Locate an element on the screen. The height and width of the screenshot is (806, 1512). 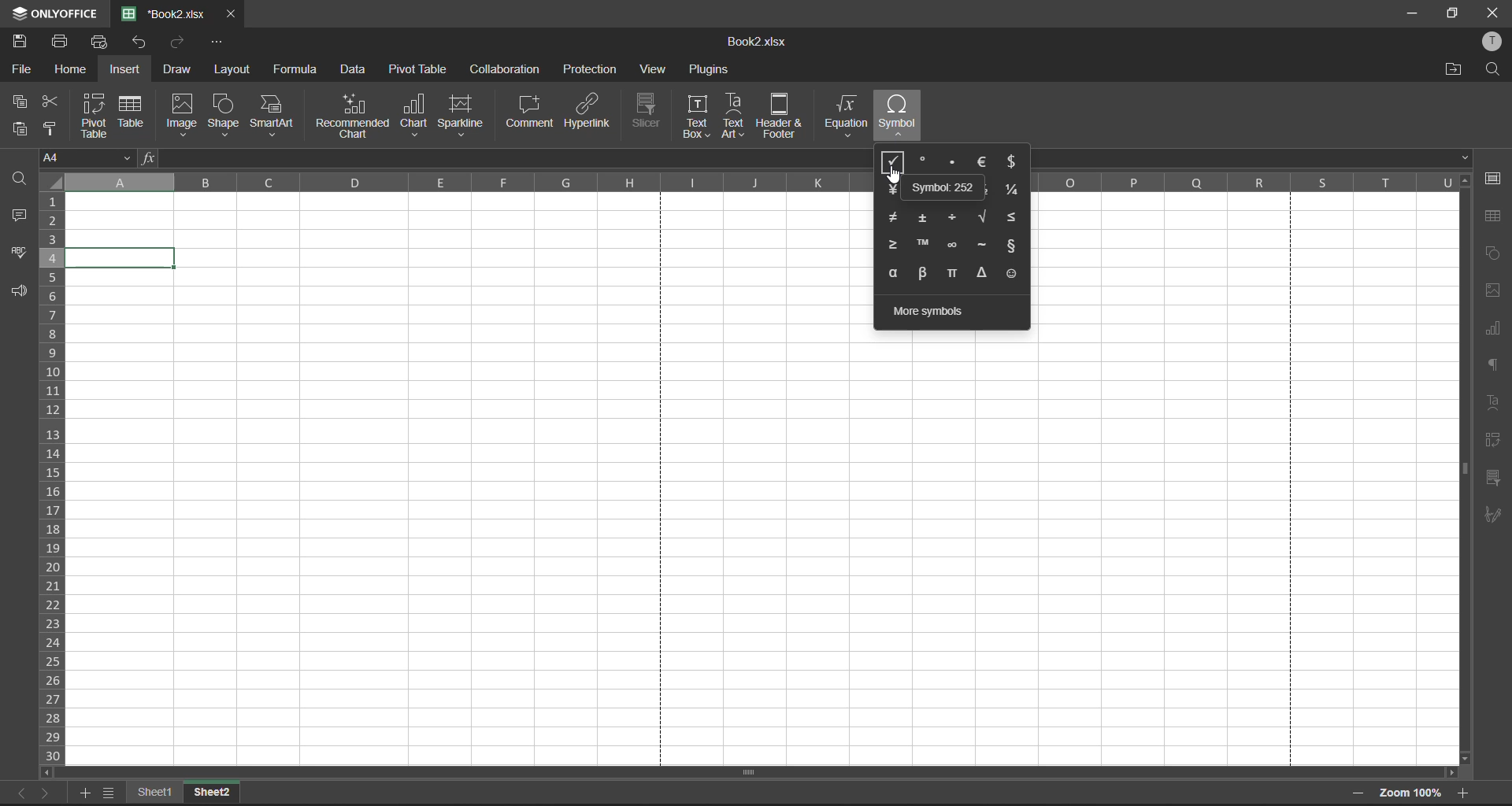
table is located at coordinates (1496, 217).